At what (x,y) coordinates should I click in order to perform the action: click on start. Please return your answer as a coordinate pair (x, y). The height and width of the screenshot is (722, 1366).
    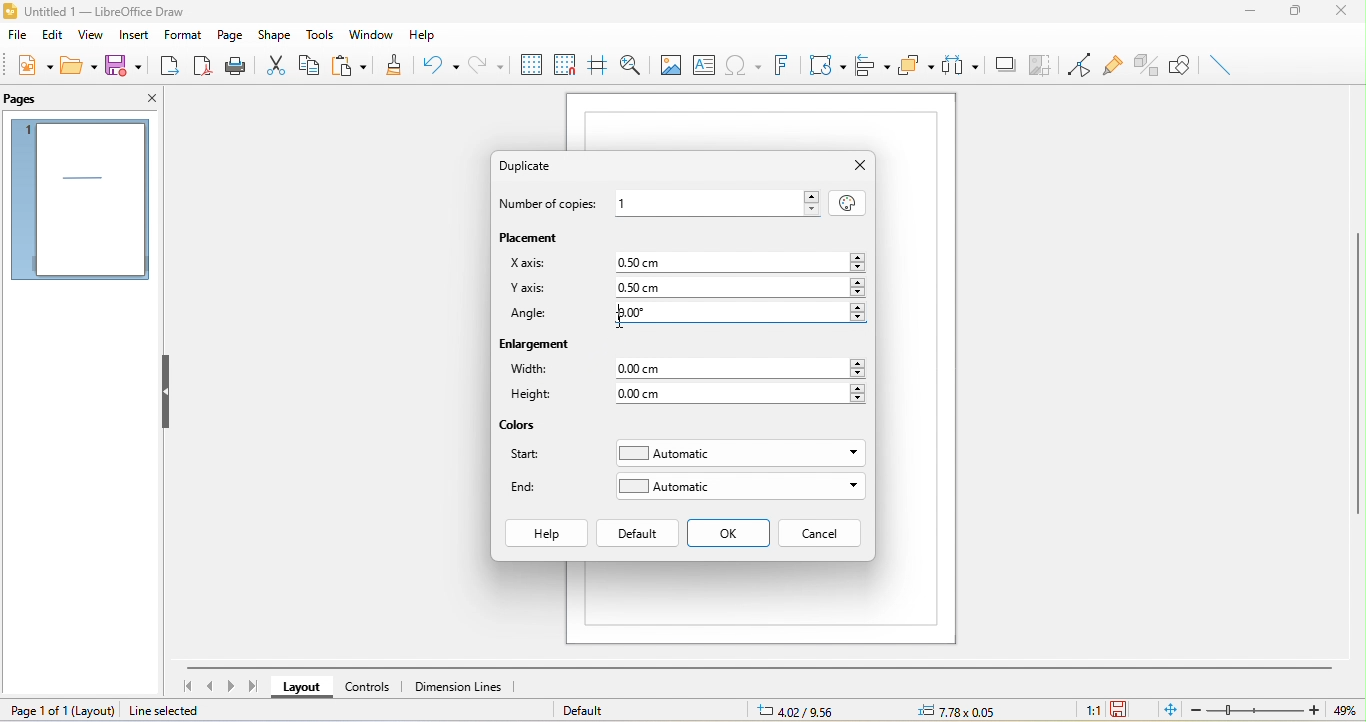
    Looking at the image, I should click on (532, 458).